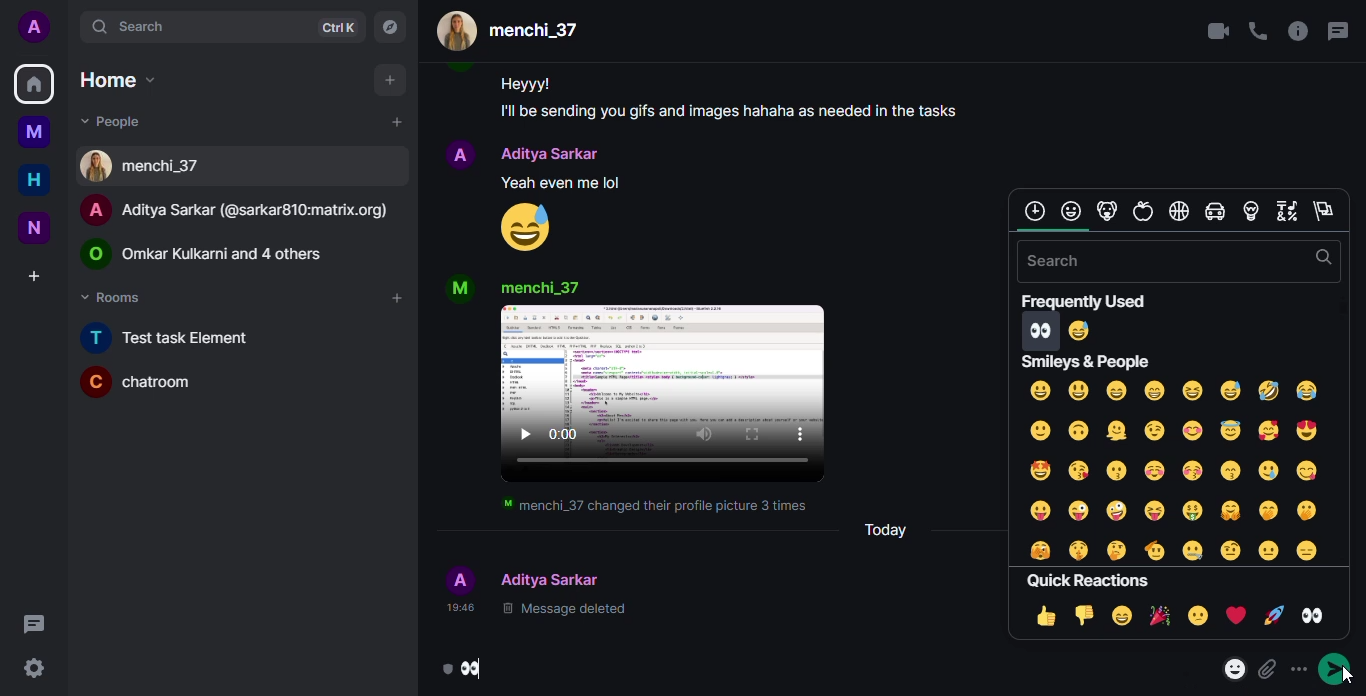 This screenshot has height=696, width=1366. I want to click on chatroom, so click(142, 382).